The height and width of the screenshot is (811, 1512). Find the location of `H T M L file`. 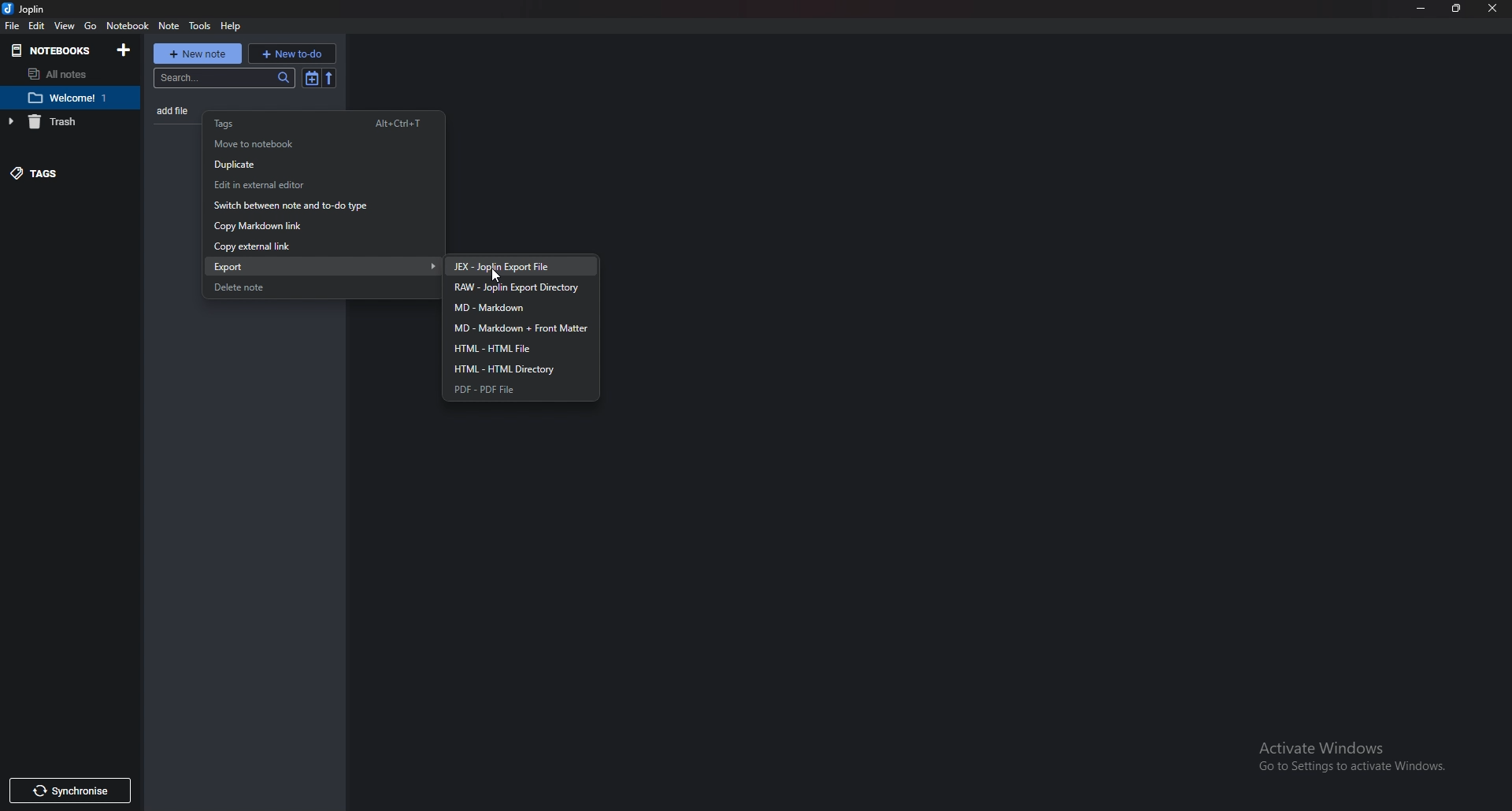

H T M L file is located at coordinates (517, 349).